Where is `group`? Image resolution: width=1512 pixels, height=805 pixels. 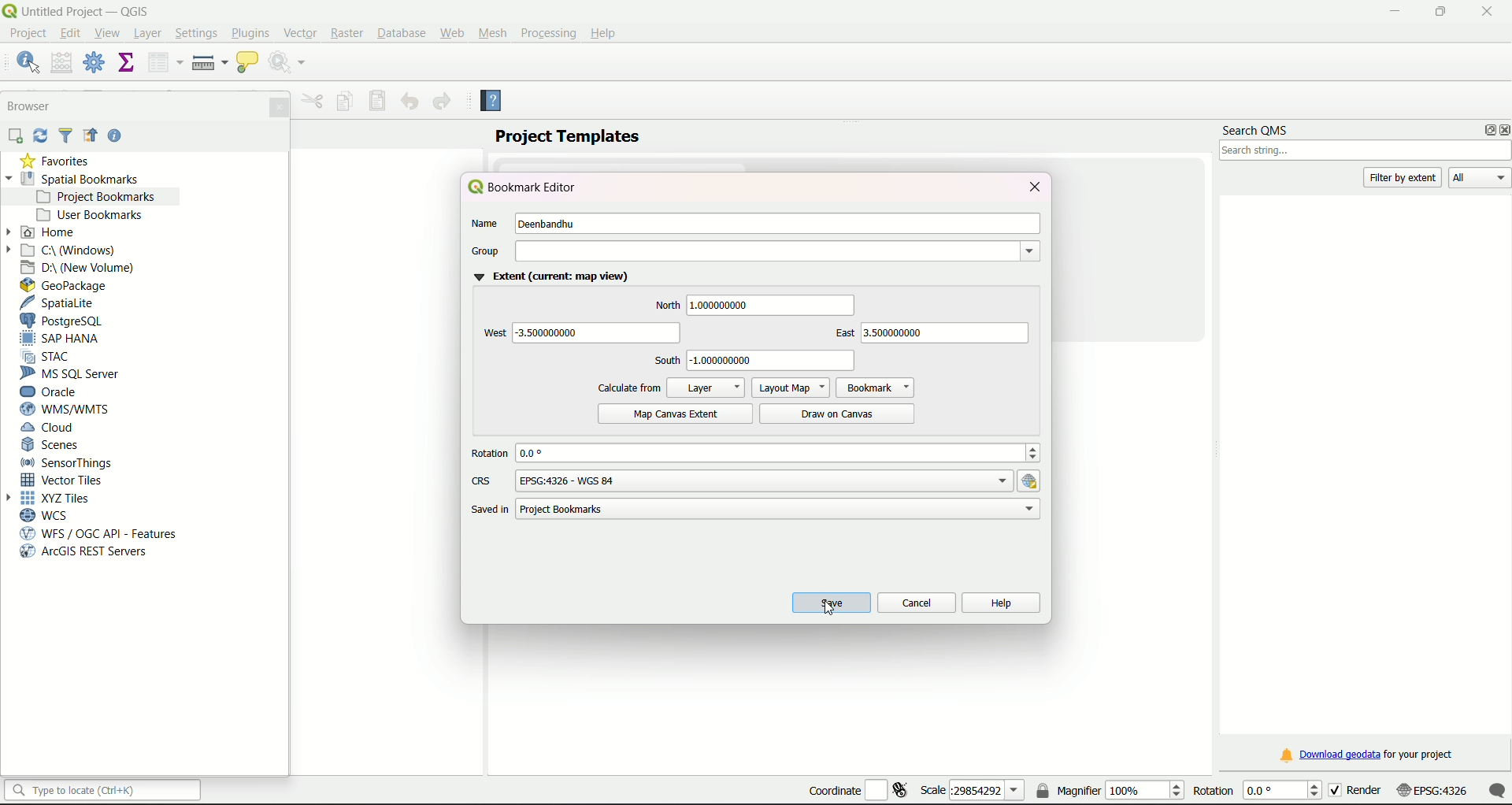
group is located at coordinates (665, 252).